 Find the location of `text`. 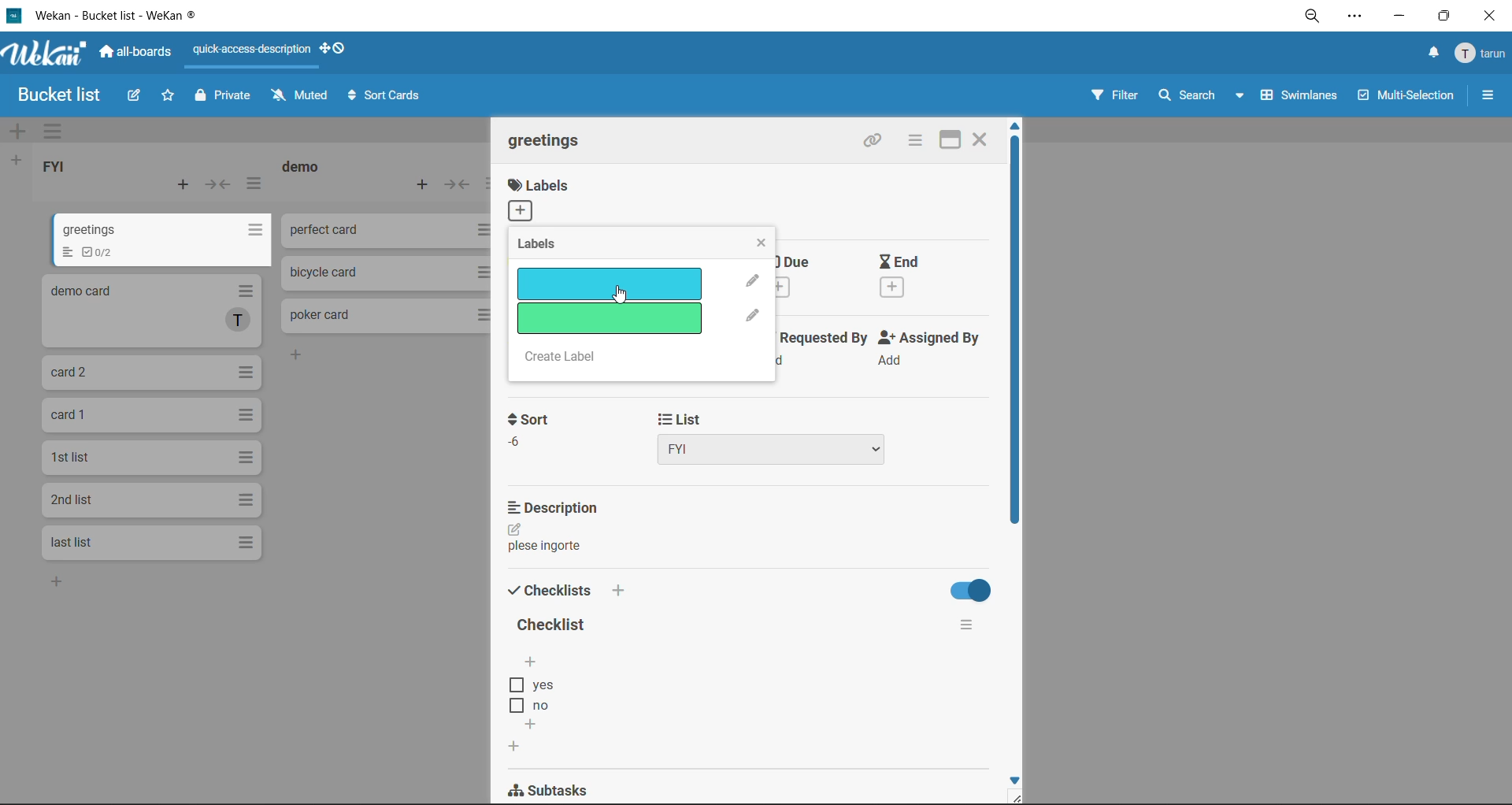

text is located at coordinates (550, 545).